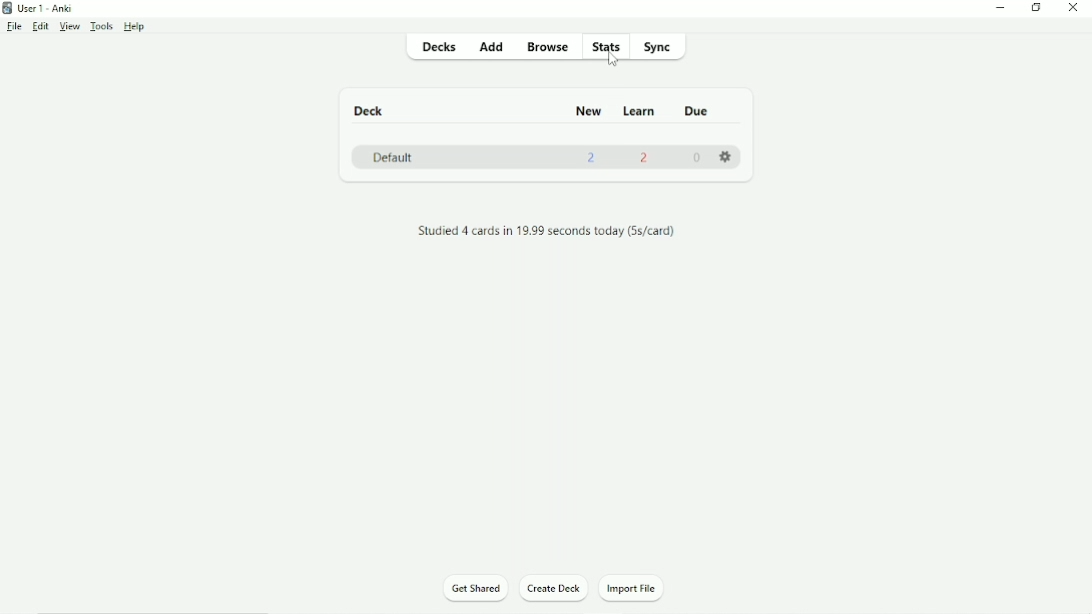 The height and width of the screenshot is (614, 1092). Describe the element at coordinates (1076, 8) in the screenshot. I see `Close` at that location.